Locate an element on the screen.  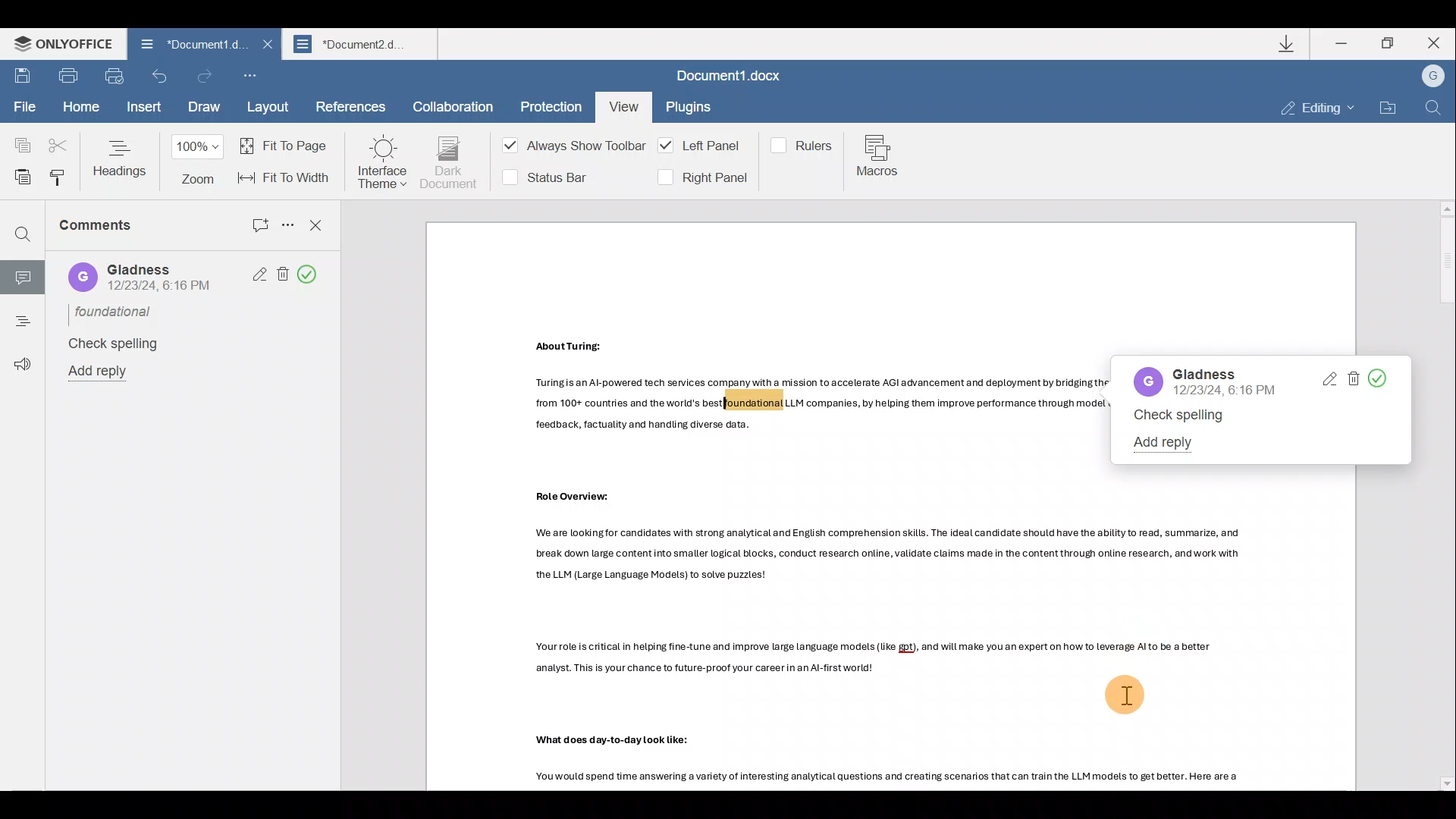
Right panel is located at coordinates (701, 177).